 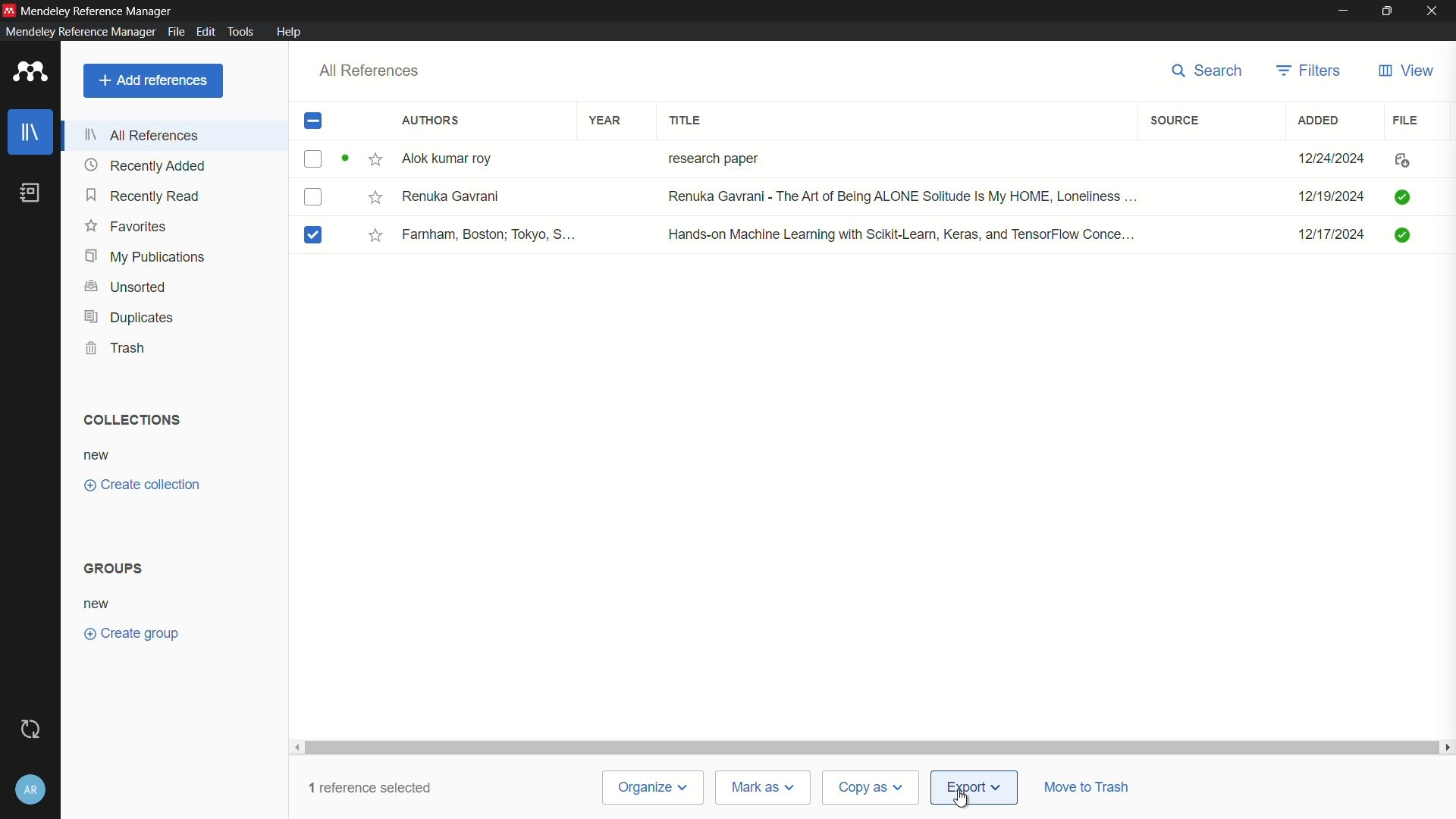 What do you see at coordinates (9, 11) in the screenshot?
I see `app icon` at bounding box center [9, 11].